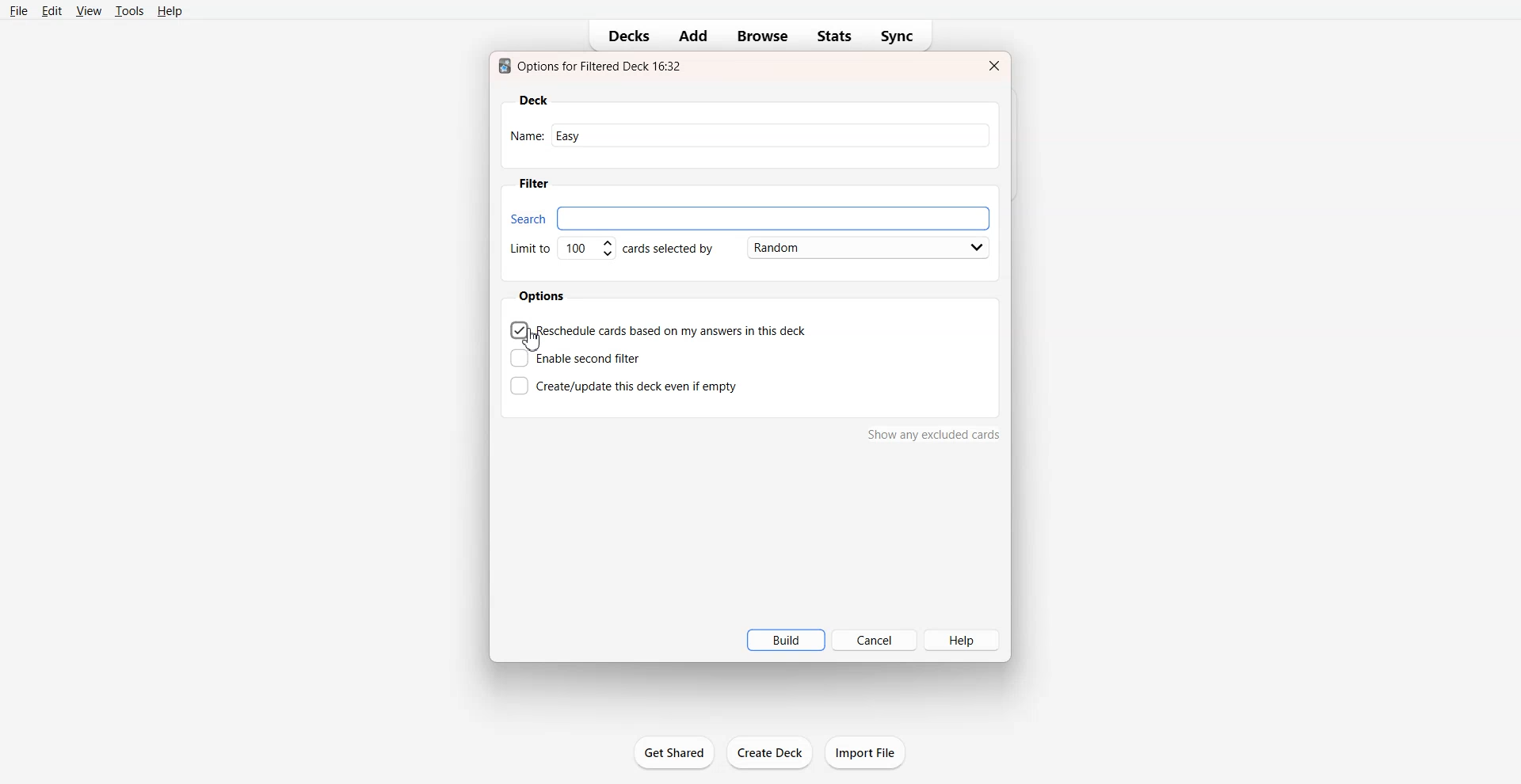 The width and height of the screenshot is (1521, 784). Describe the element at coordinates (533, 184) in the screenshot. I see `Filter` at that location.